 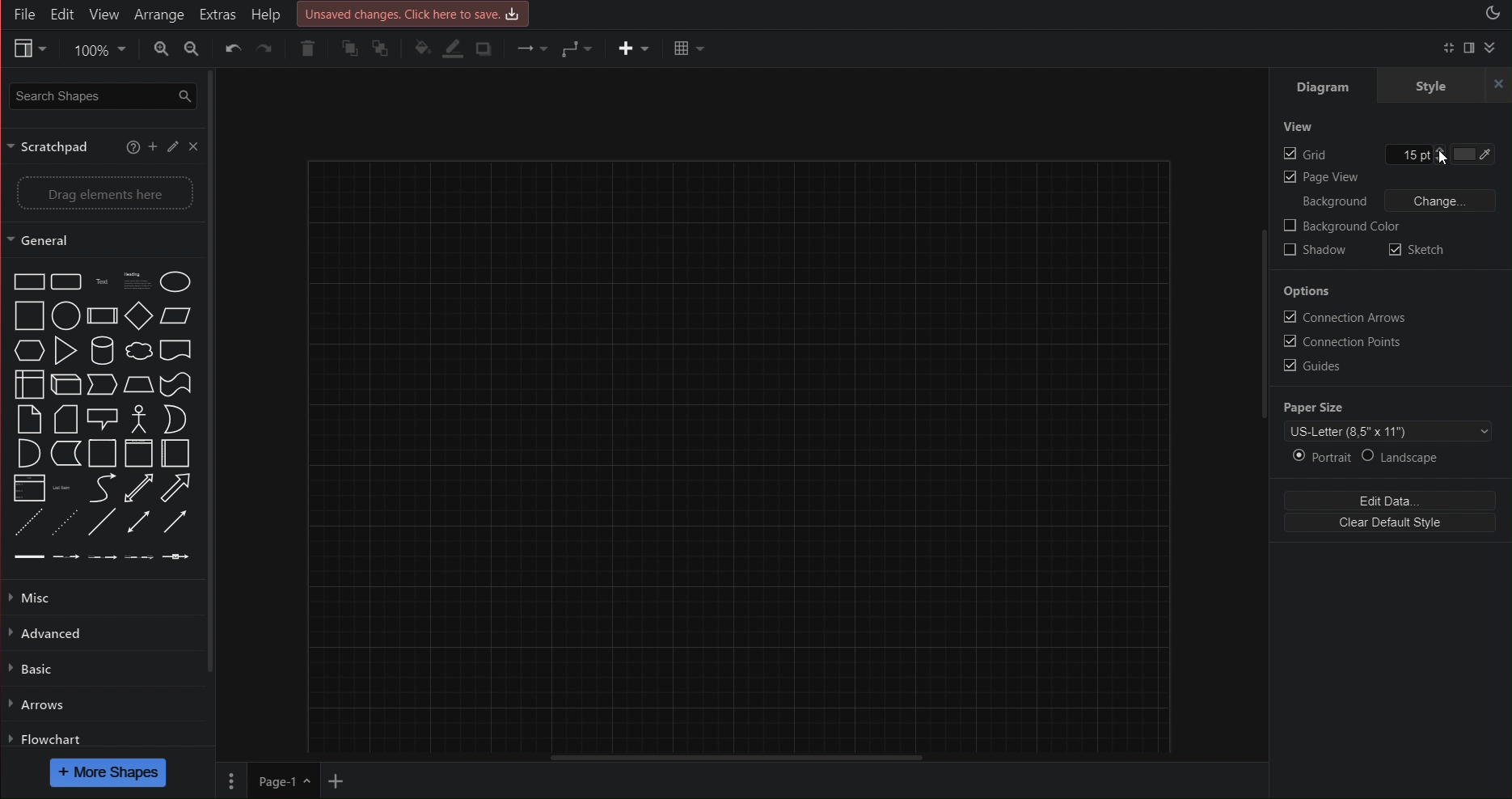 I want to click on Edit Data, so click(x=1387, y=501).